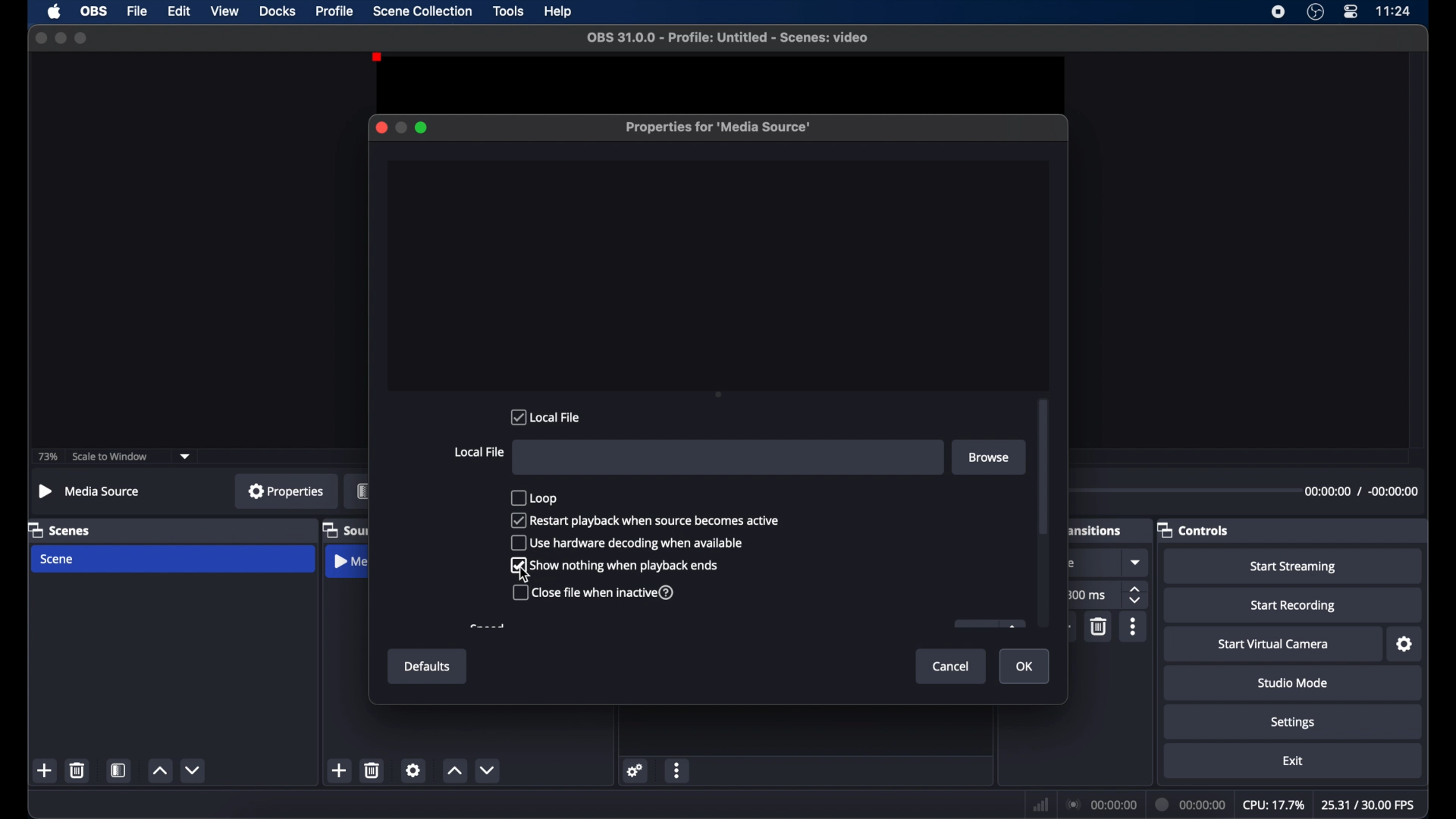  What do you see at coordinates (479, 452) in the screenshot?
I see `local file` at bounding box center [479, 452].